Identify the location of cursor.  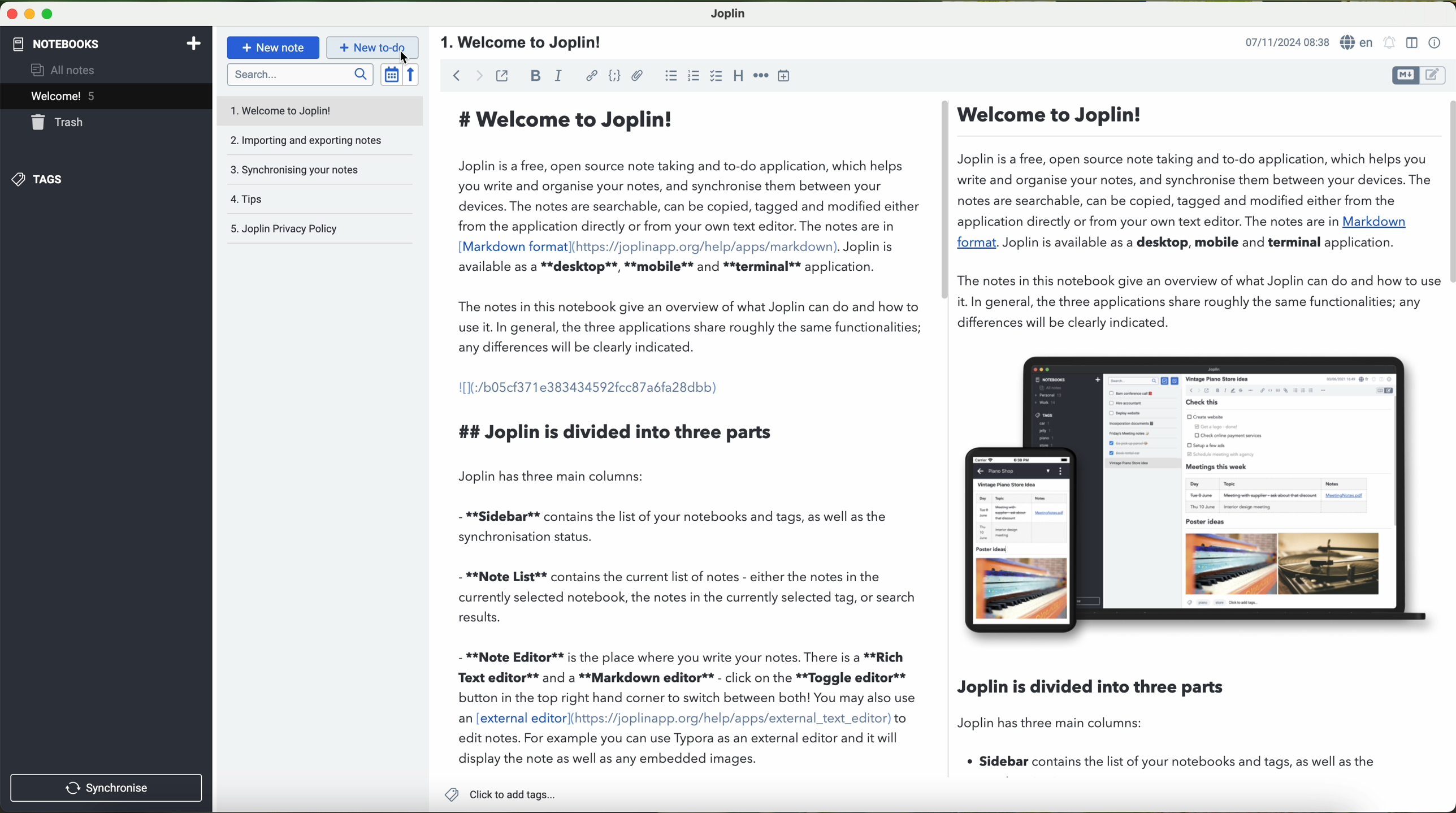
(402, 58).